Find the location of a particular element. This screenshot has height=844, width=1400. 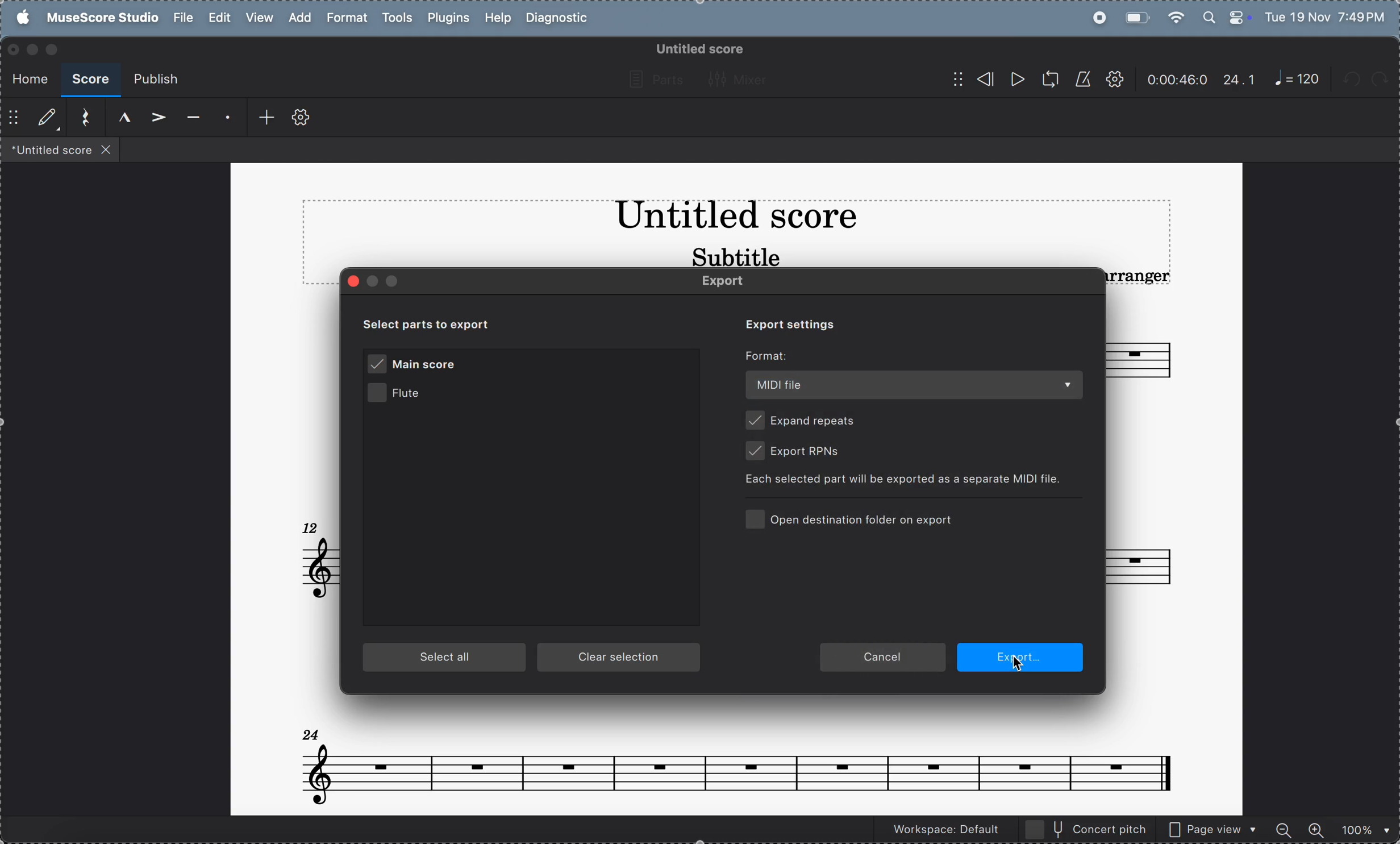

export settings is located at coordinates (784, 323).